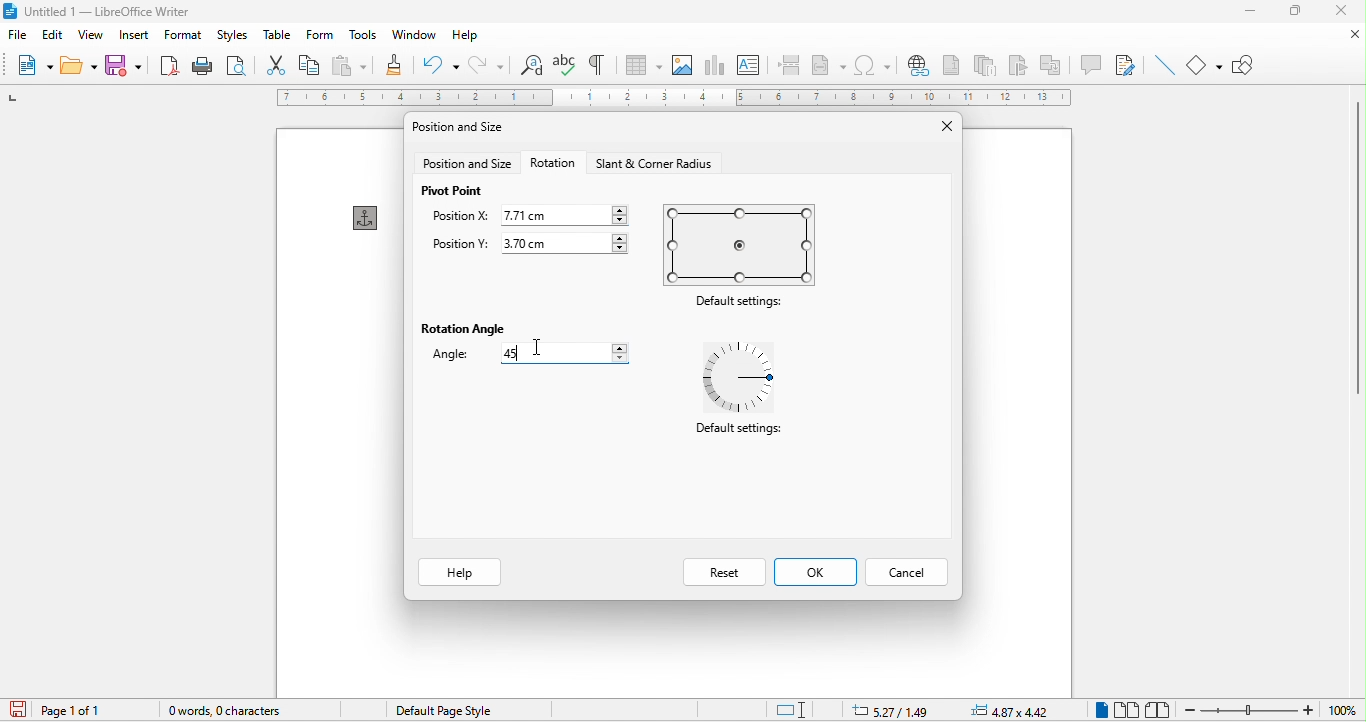 This screenshot has height=722, width=1366. Describe the element at coordinates (133, 36) in the screenshot. I see `insert` at that location.